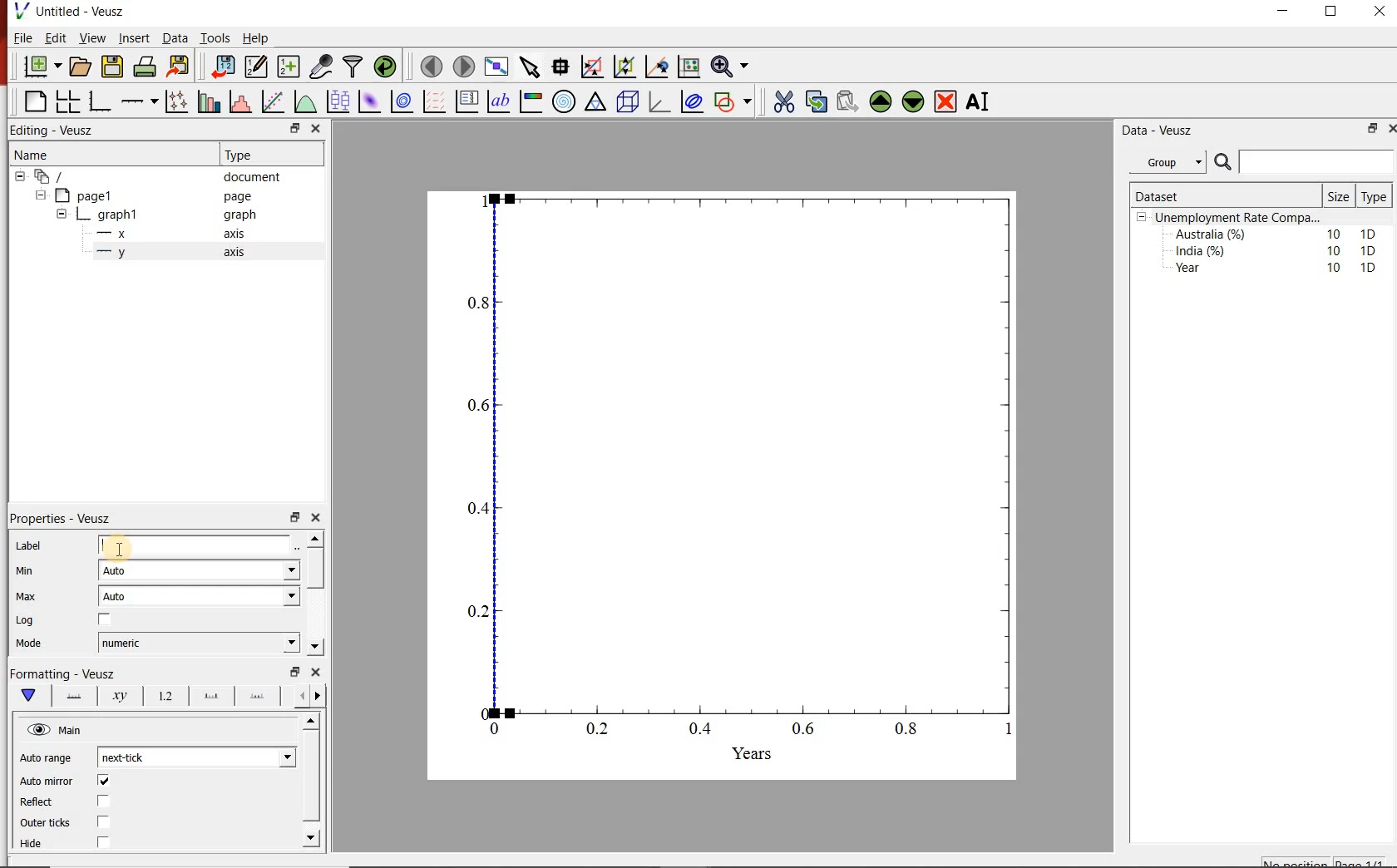 This screenshot has height=868, width=1397. What do you see at coordinates (68, 10) in the screenshot?
I see `Untitled - Veusz` at bounding box center [68, 10].